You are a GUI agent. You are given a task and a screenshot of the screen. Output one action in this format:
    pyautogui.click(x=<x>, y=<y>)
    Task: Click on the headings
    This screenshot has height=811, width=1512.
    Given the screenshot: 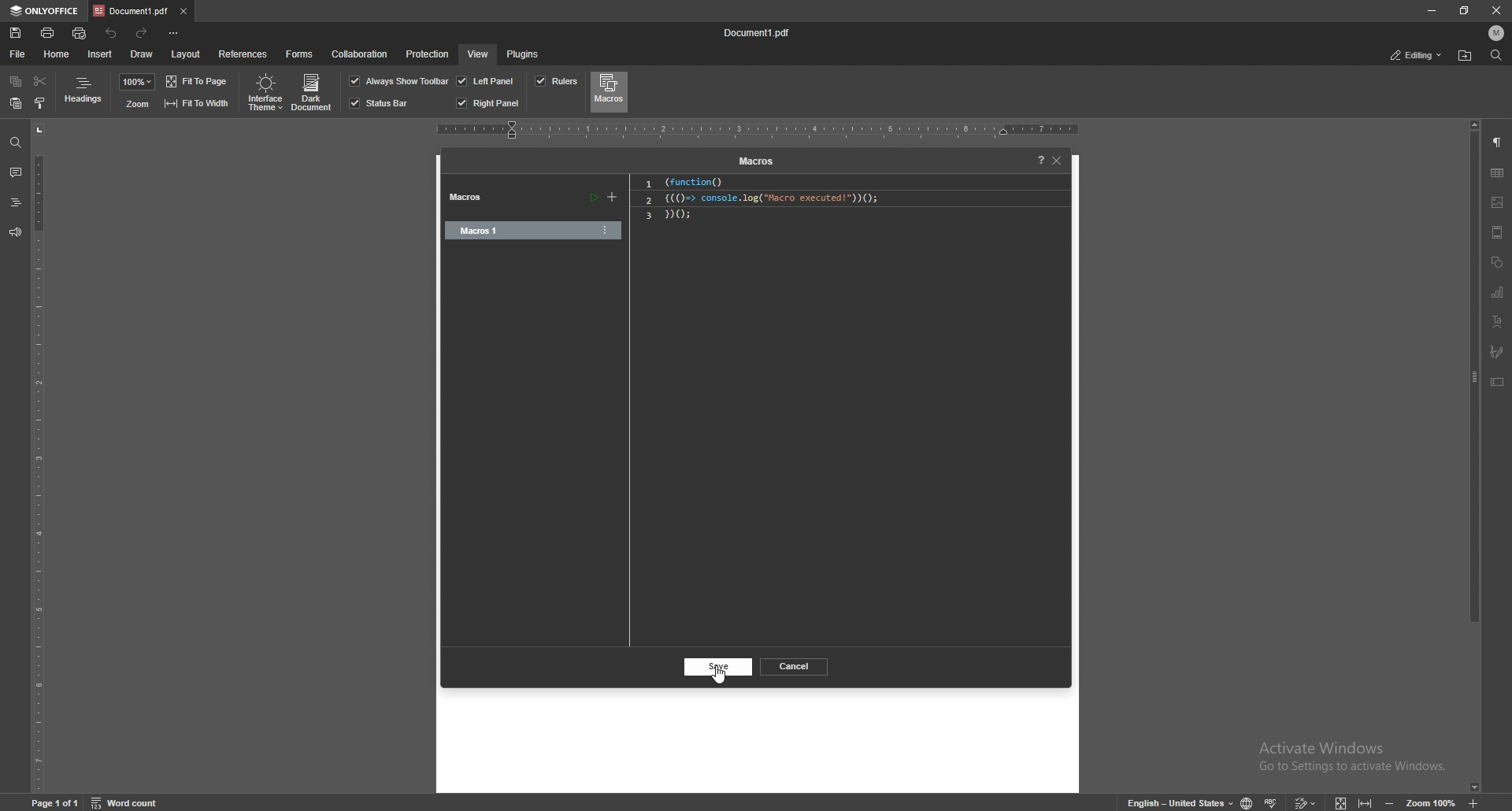 What is the action you would take?
    pyautogui.click(x=84, y=93)
    